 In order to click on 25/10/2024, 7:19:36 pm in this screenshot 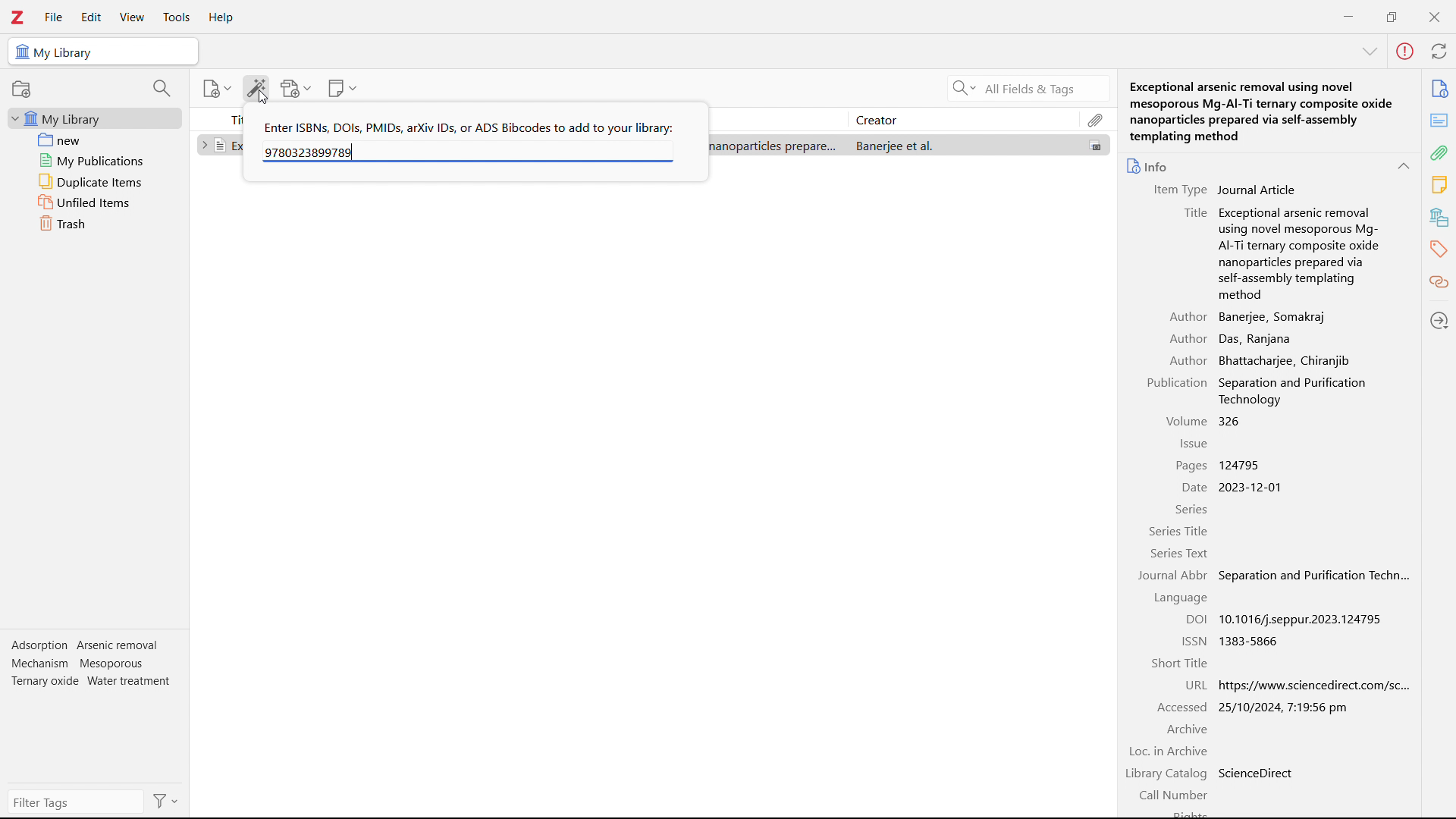, I will do `click(1285, 707)`.